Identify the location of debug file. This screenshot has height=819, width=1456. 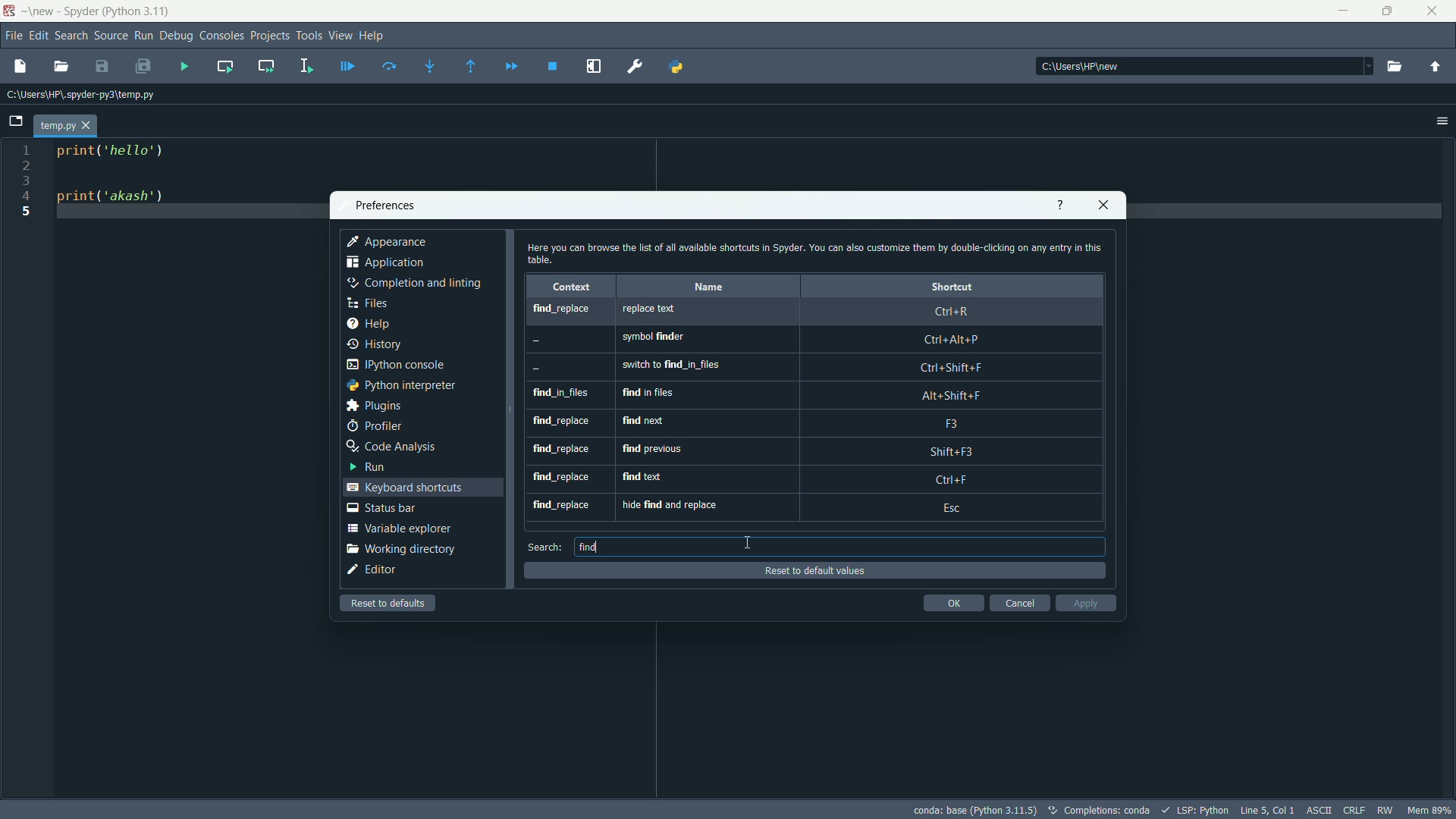
(347, 65).